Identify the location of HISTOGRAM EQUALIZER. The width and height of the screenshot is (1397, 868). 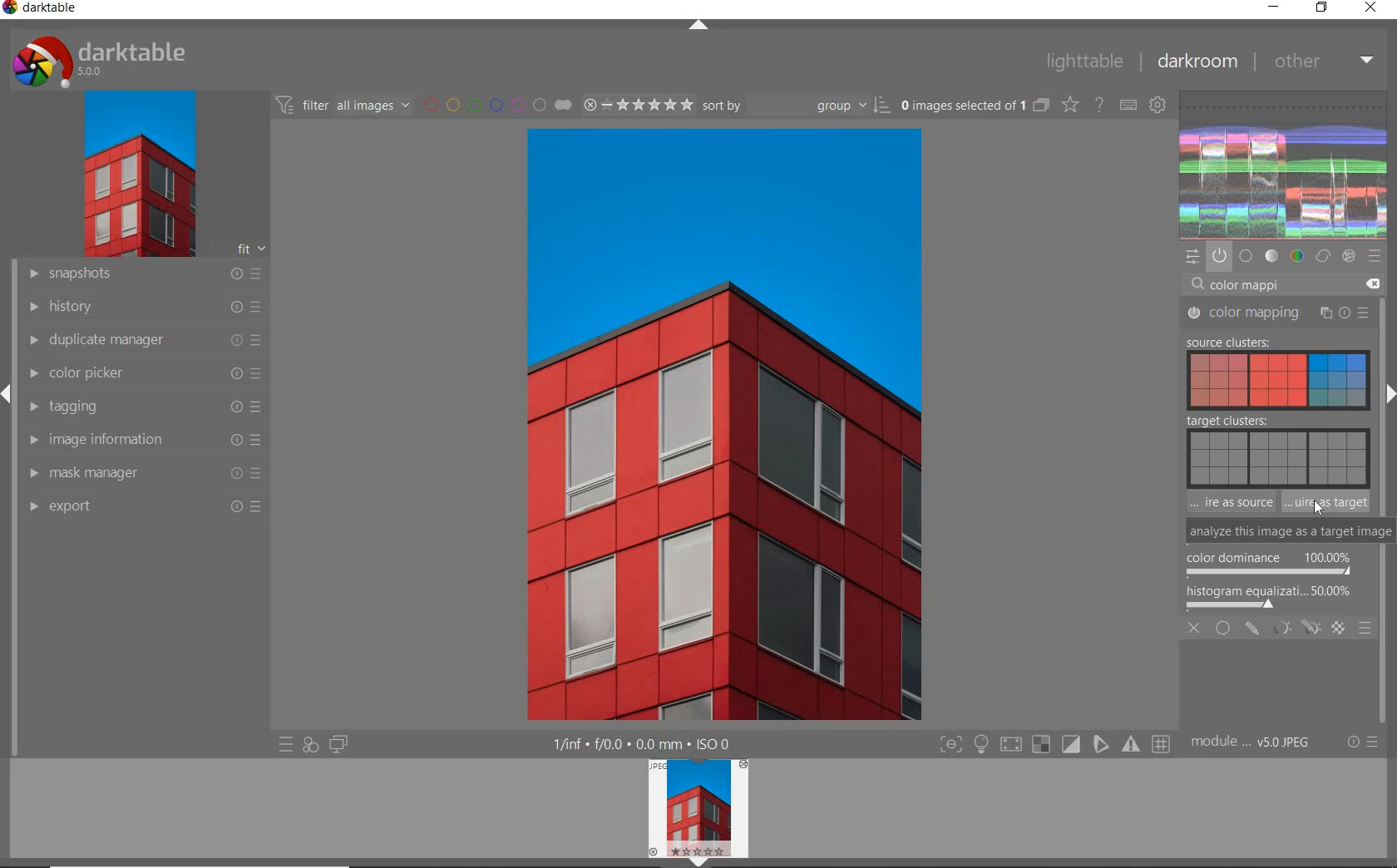
(1271, 596).